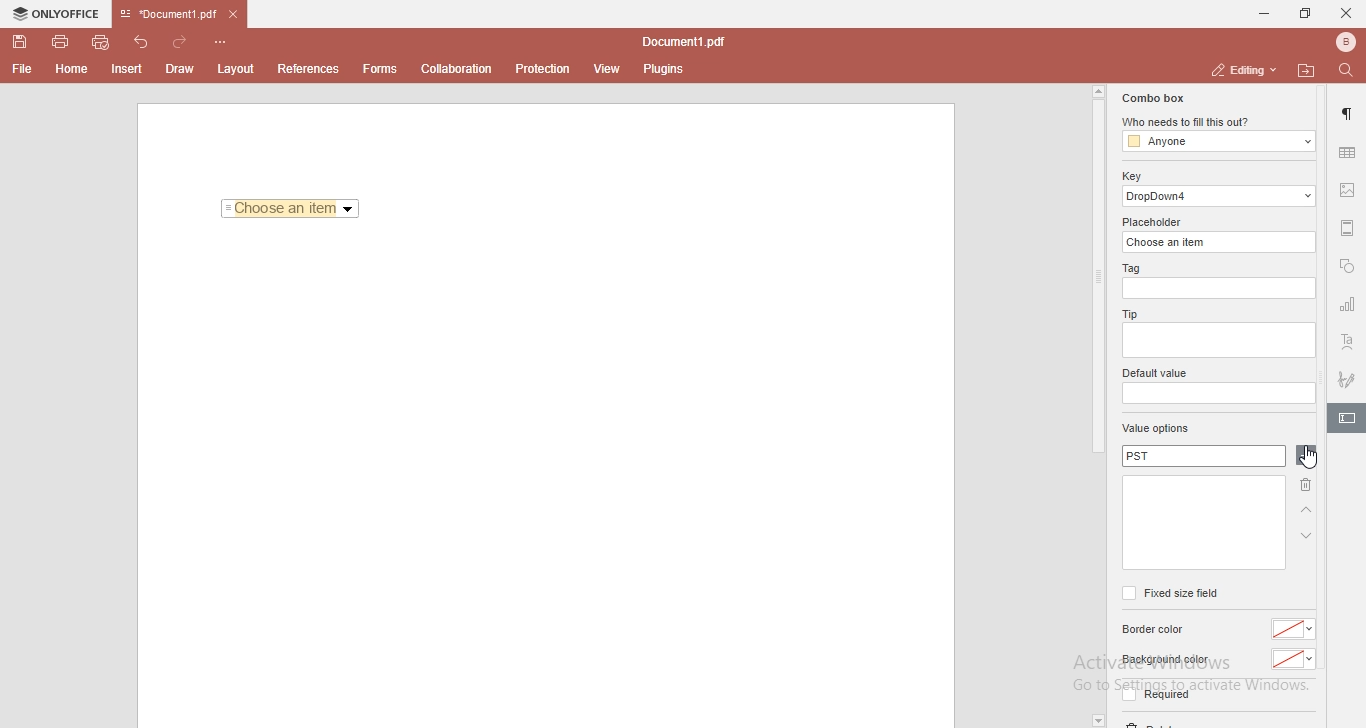 The image size is (1366, 728). Describe the element at coordinates (1308, 460) in the screenshot. I see `cursor` at that location.